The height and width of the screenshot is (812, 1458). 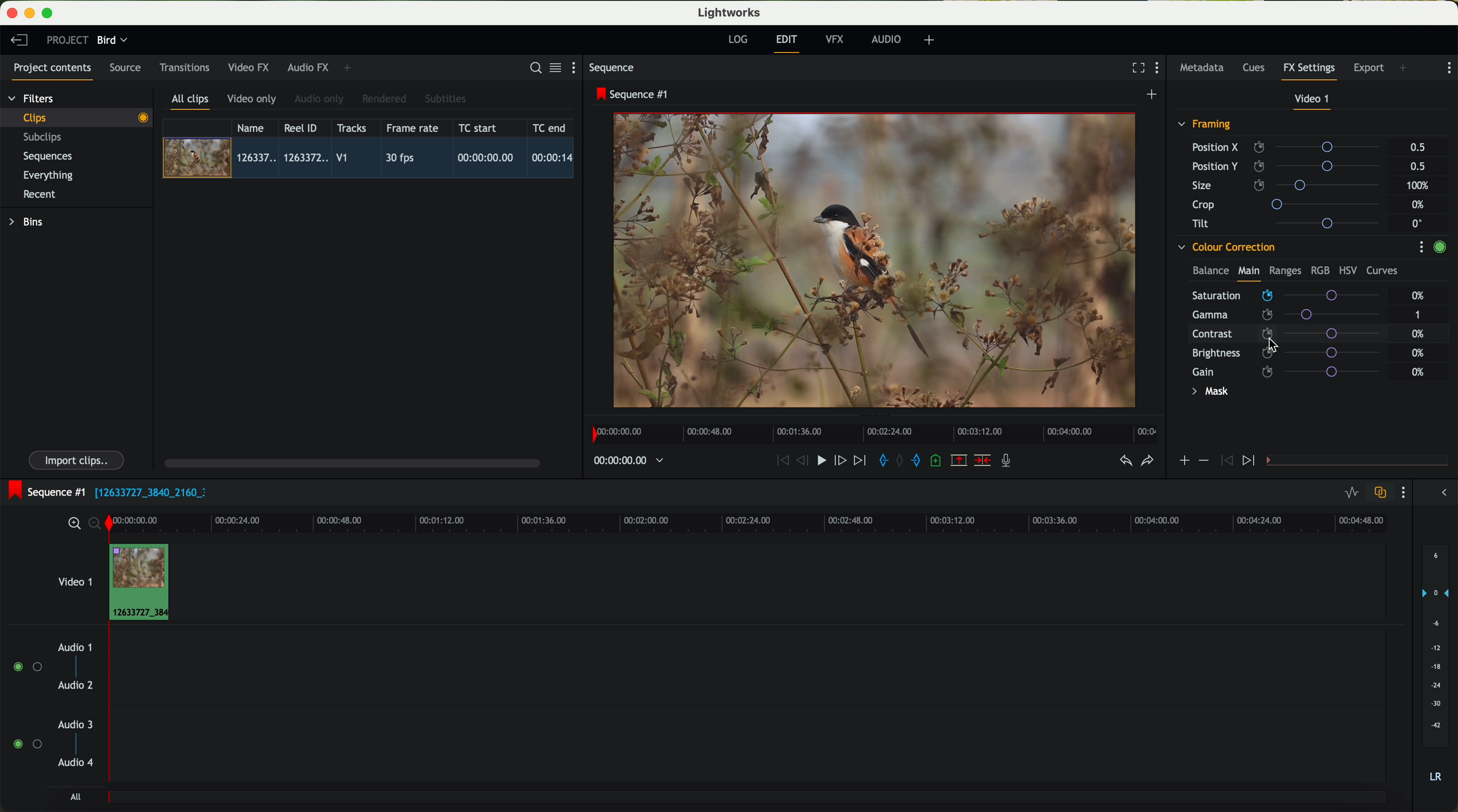 I want to click on 0%, so click(x=1420, y=205).